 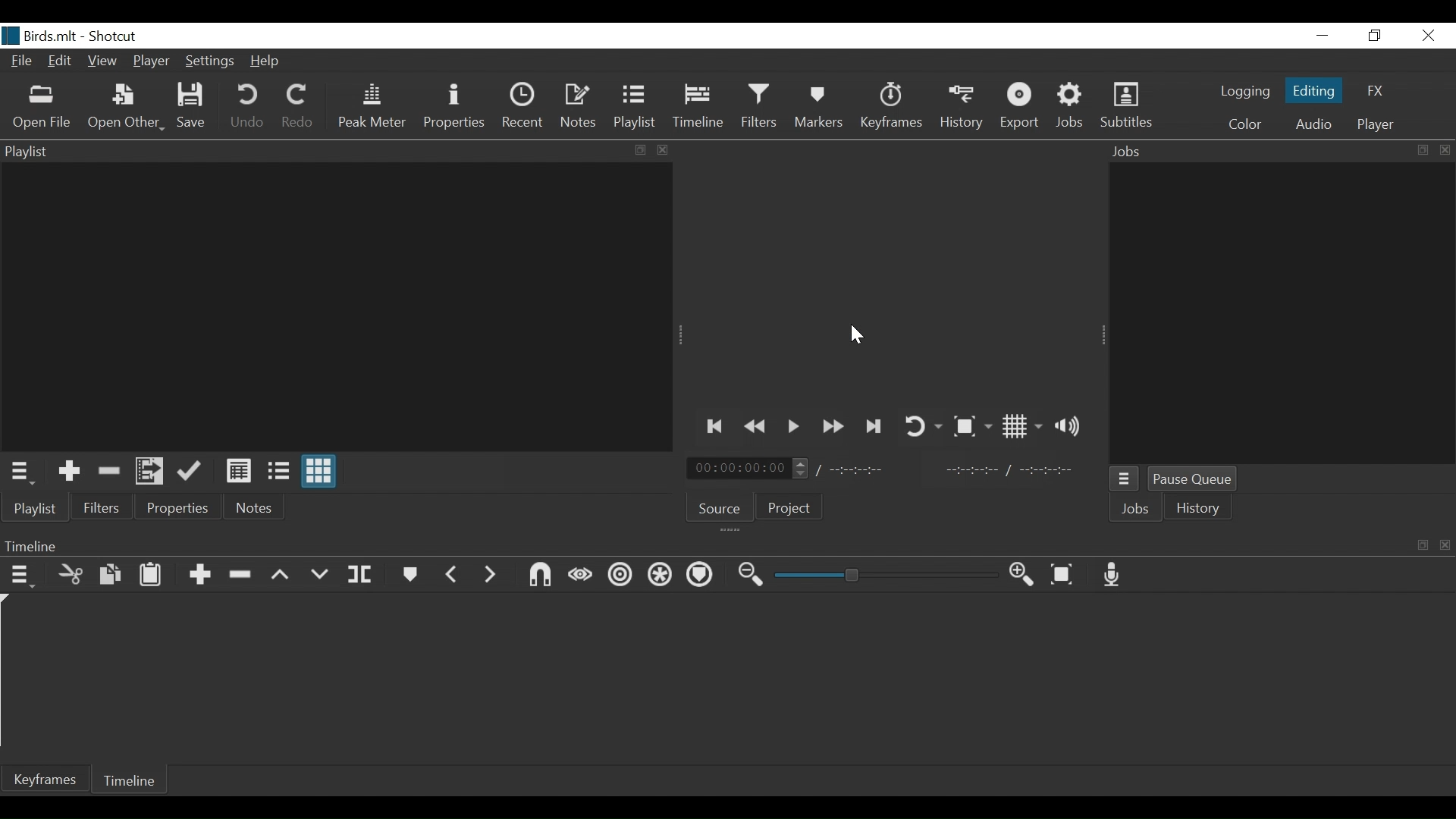 I want to click on Zoom Timeline in, so click(x=1021, y=575).